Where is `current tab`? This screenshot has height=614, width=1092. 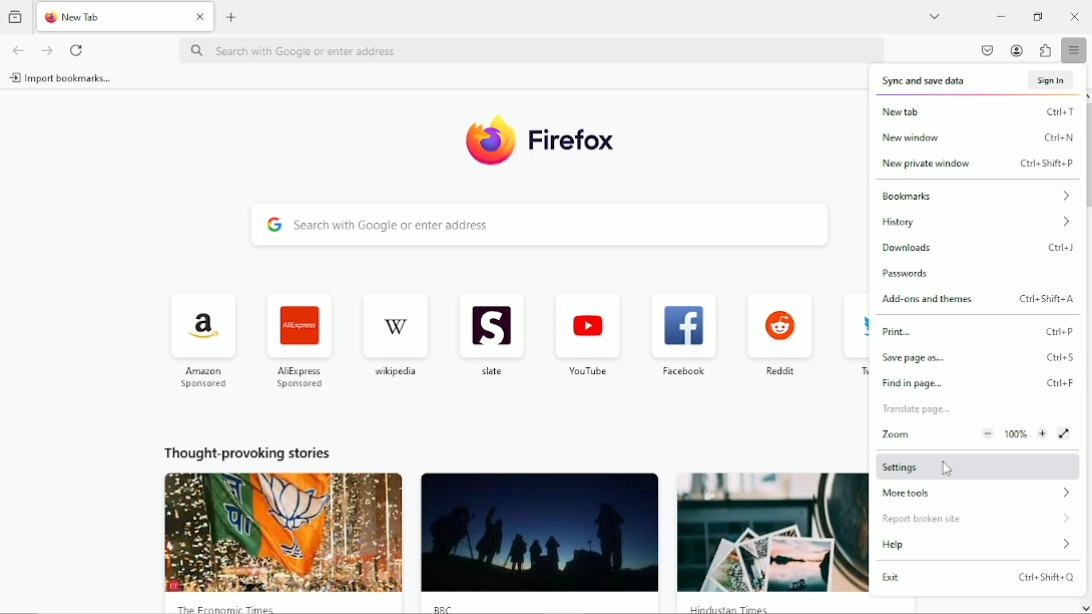
current tab is located at coordinates (111, 16).